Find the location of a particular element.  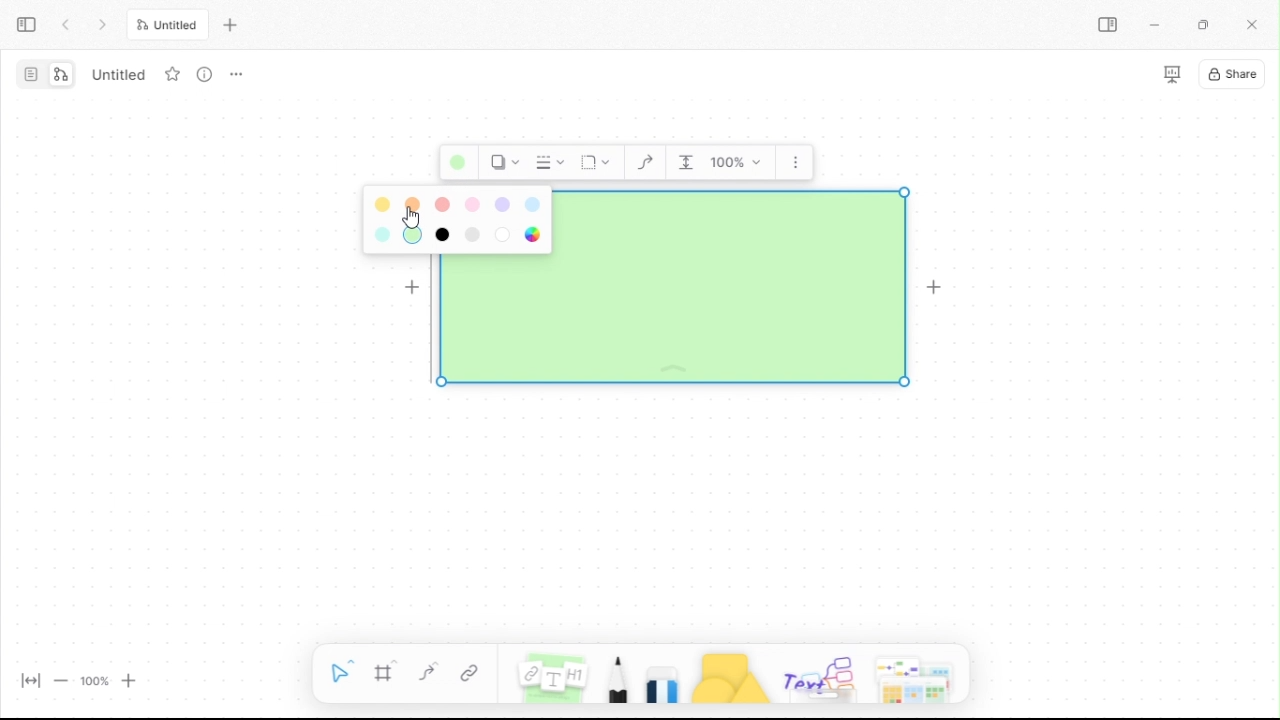

More options is located at coordinates (796, 162).